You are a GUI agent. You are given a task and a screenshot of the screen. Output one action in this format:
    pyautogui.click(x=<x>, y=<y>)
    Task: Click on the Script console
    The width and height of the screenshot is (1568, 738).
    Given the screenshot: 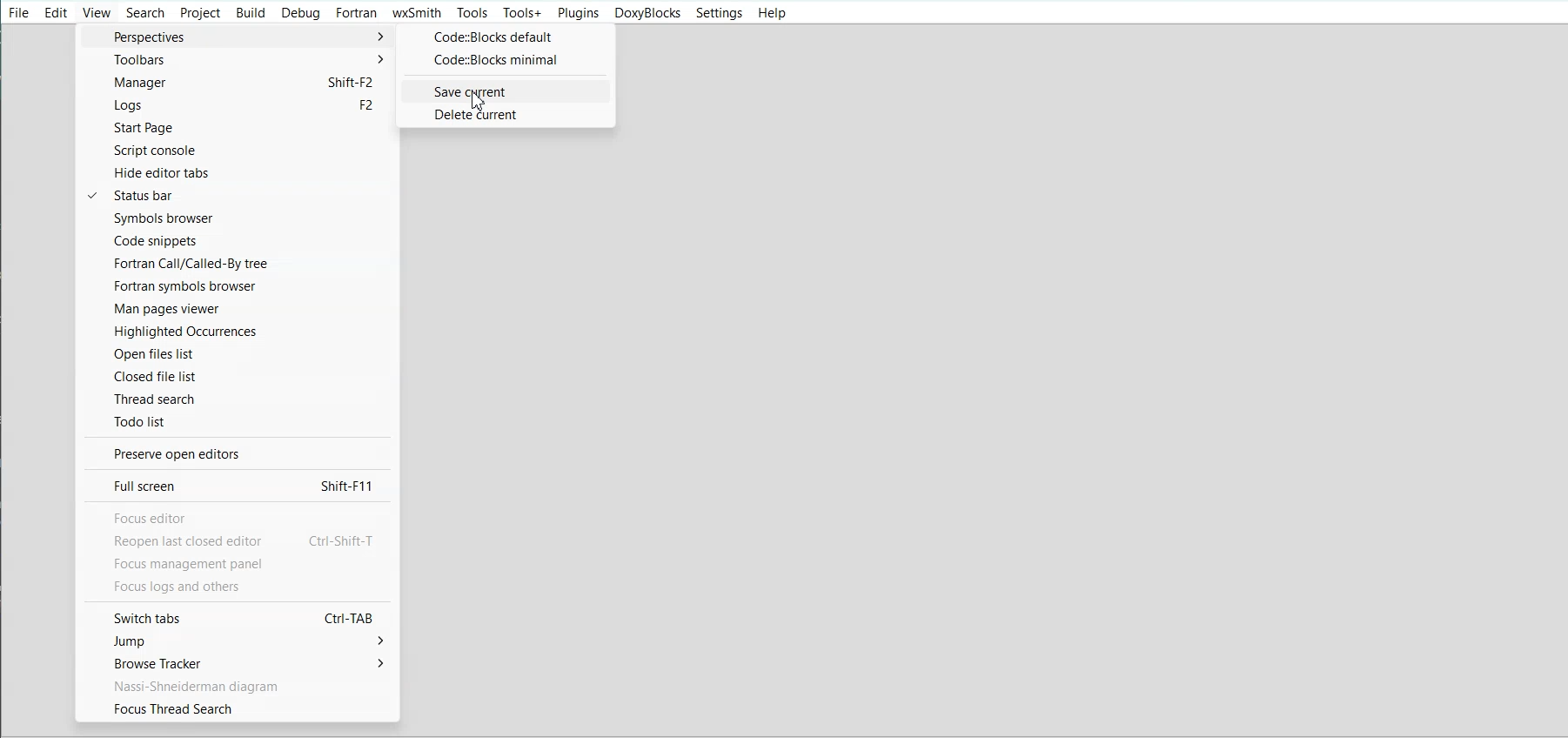 What is the action you would take?
    pyautogui.click(x=241, y=150)
    